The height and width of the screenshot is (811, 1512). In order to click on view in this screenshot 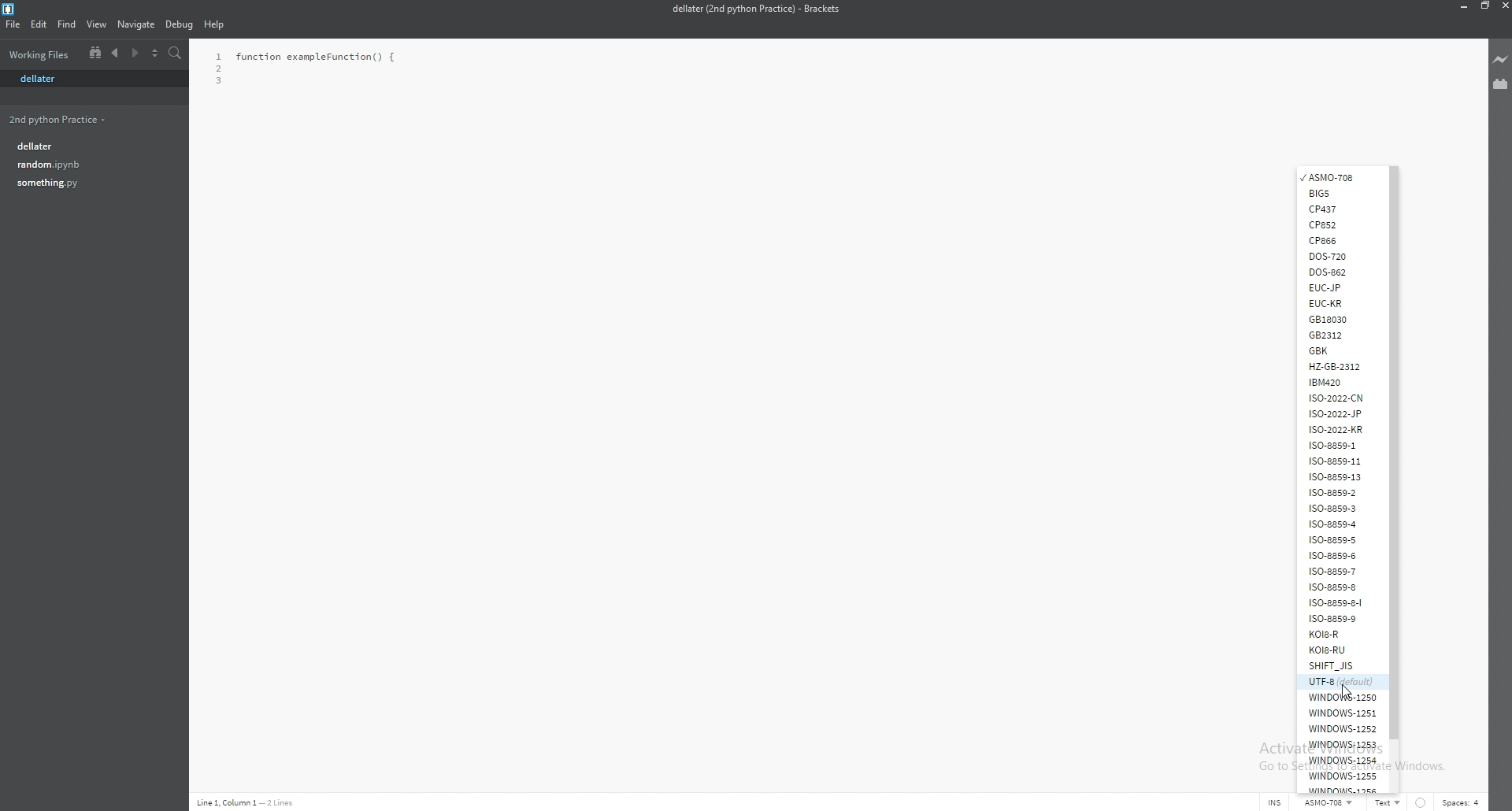, I will do `click(97, 24)`.